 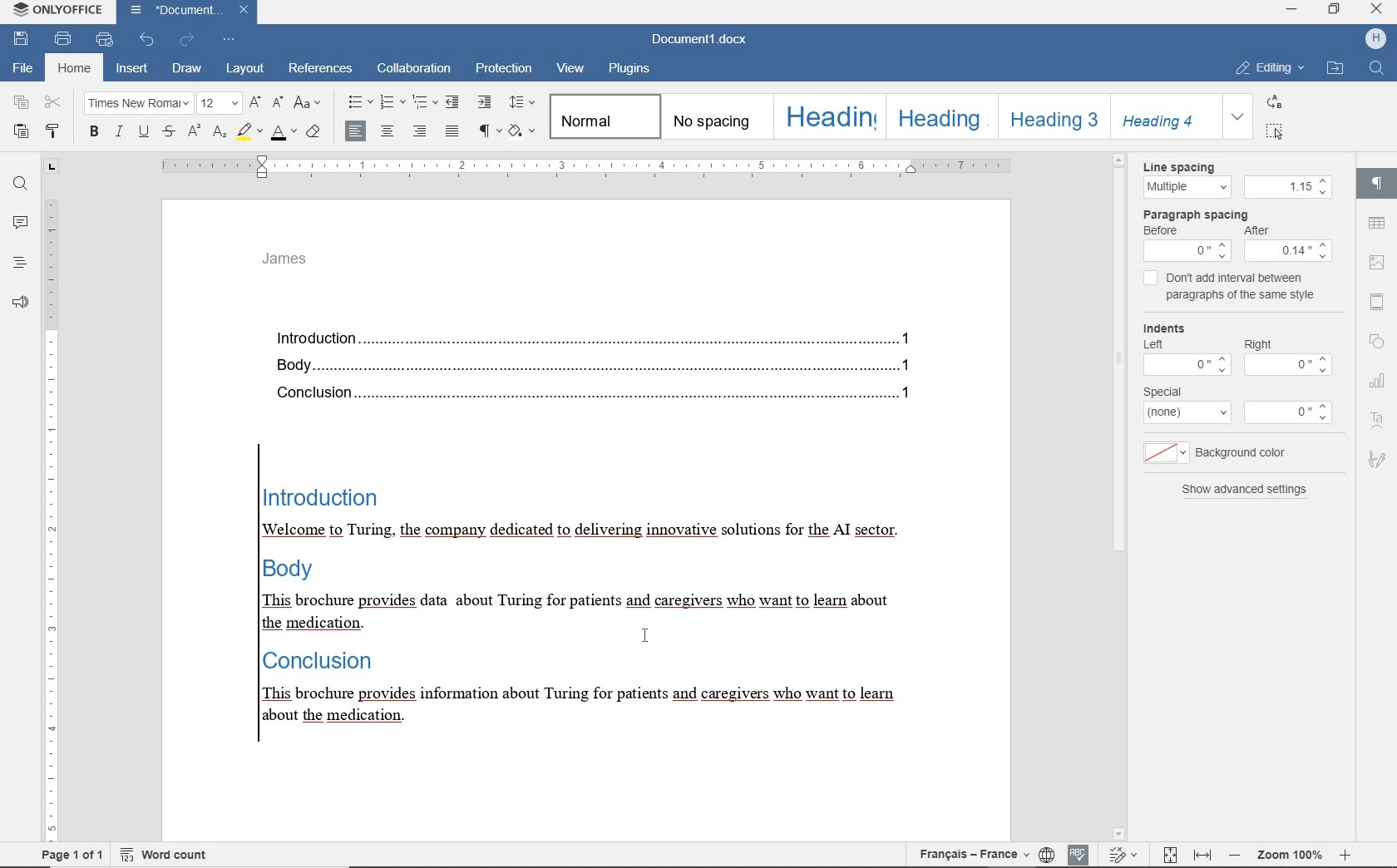 What do you see at coordinates (1288, 187) in the screenshot?
I see `1.15` at bounding box center [1288, 187].